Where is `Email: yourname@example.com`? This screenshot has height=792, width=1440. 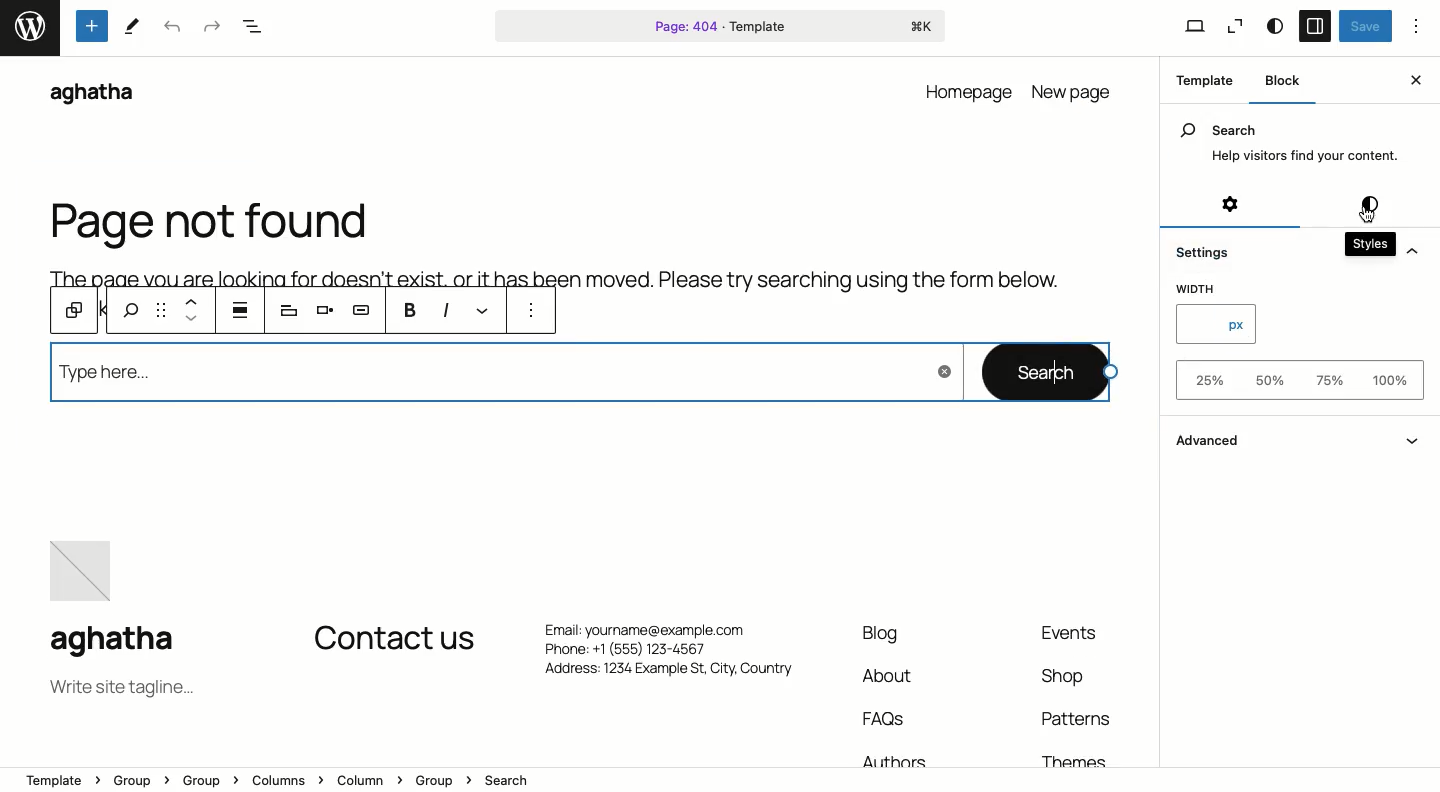
Email: yourname@example.com is located at coordinates (658, 626).